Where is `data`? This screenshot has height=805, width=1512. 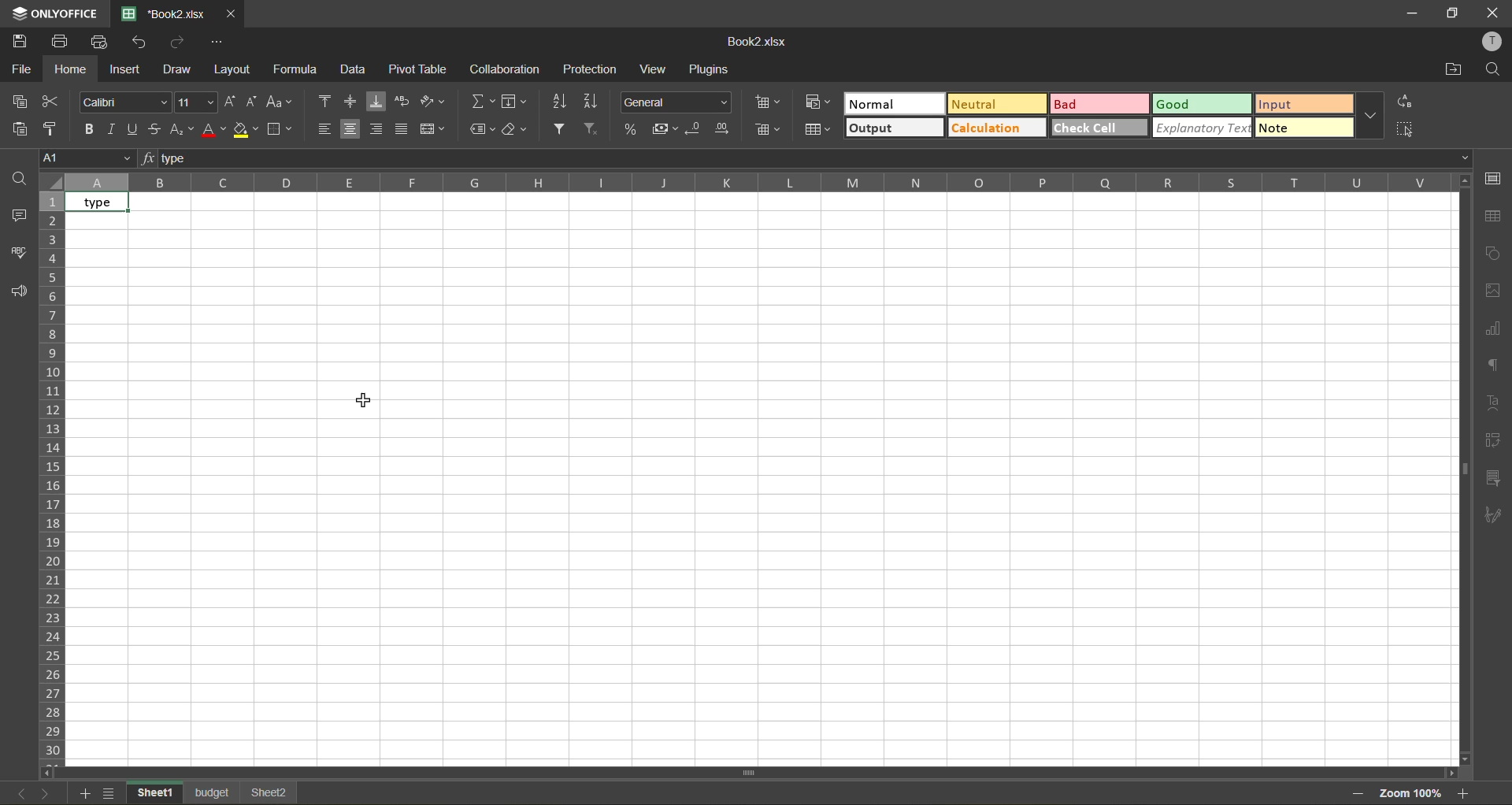 data is located at coordinates (353, 72).